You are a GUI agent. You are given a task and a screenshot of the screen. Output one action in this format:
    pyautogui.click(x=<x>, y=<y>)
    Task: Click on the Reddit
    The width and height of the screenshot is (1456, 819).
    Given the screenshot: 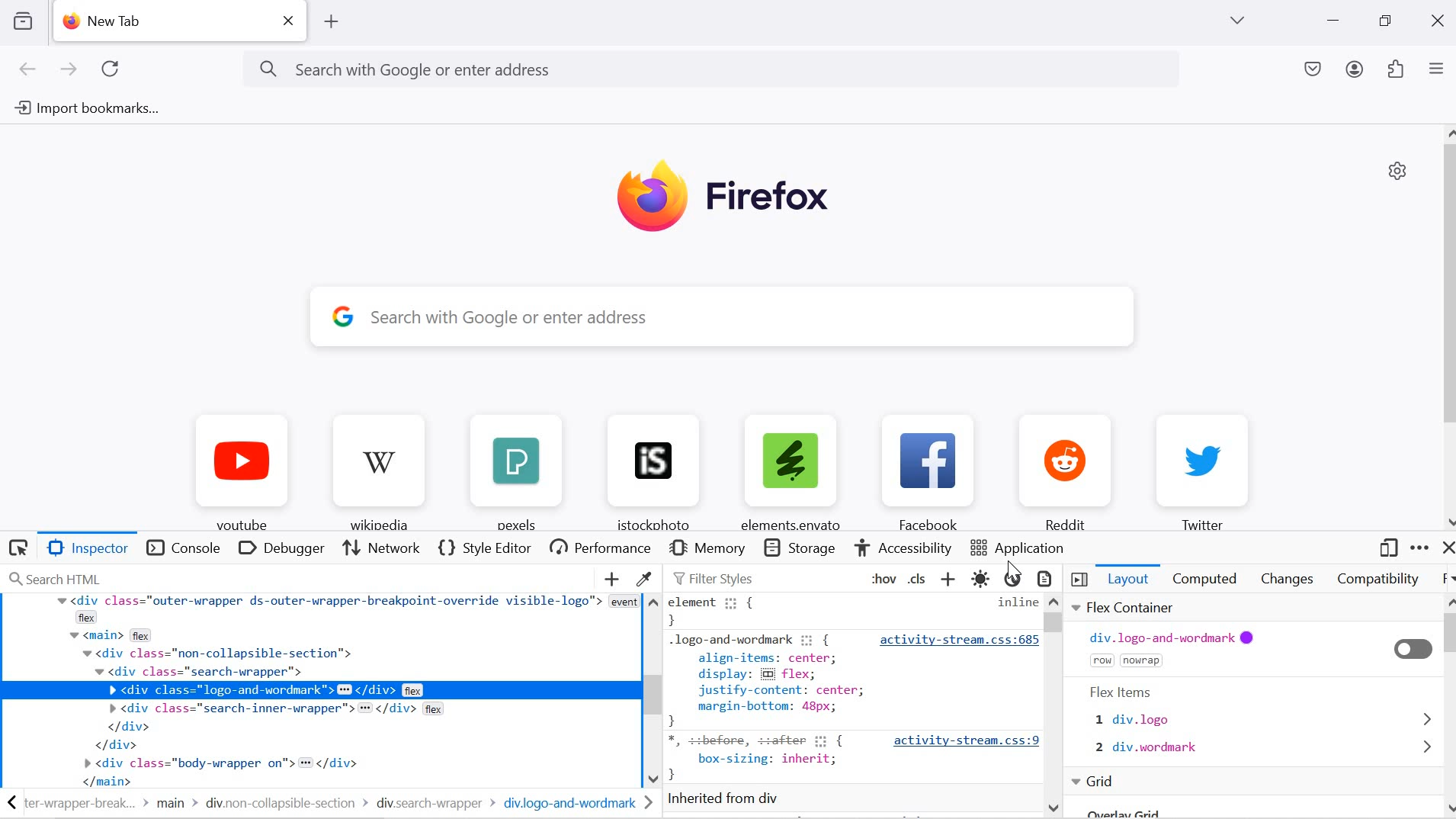 What is the action you would take?
    pyautogui.click(x=1060, y=466)
    